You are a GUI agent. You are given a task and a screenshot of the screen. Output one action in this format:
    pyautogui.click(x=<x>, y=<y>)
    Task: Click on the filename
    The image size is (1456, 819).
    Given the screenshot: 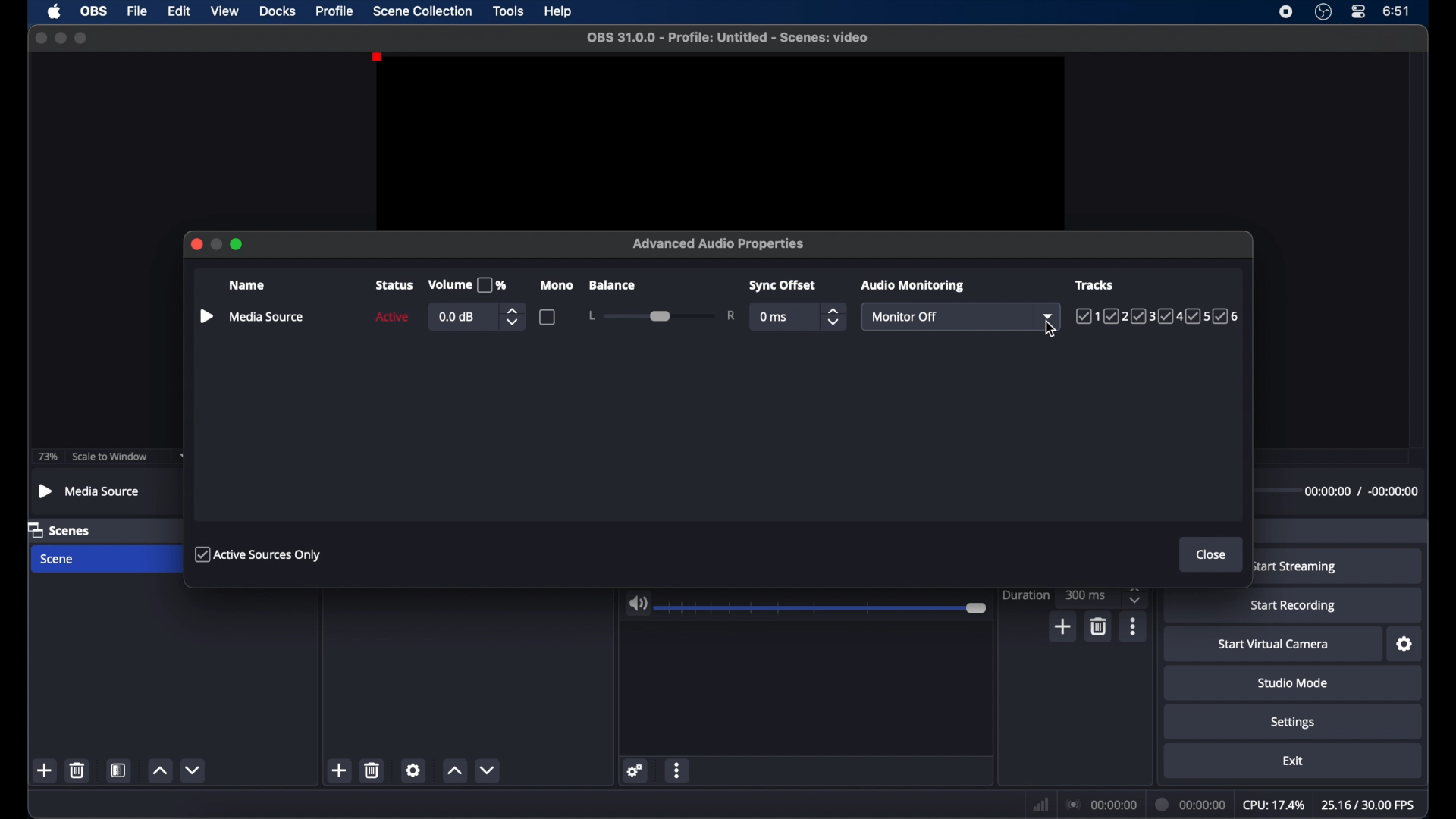 What is the action you would take?
    pyautogui.click(x=729, y=38)
    